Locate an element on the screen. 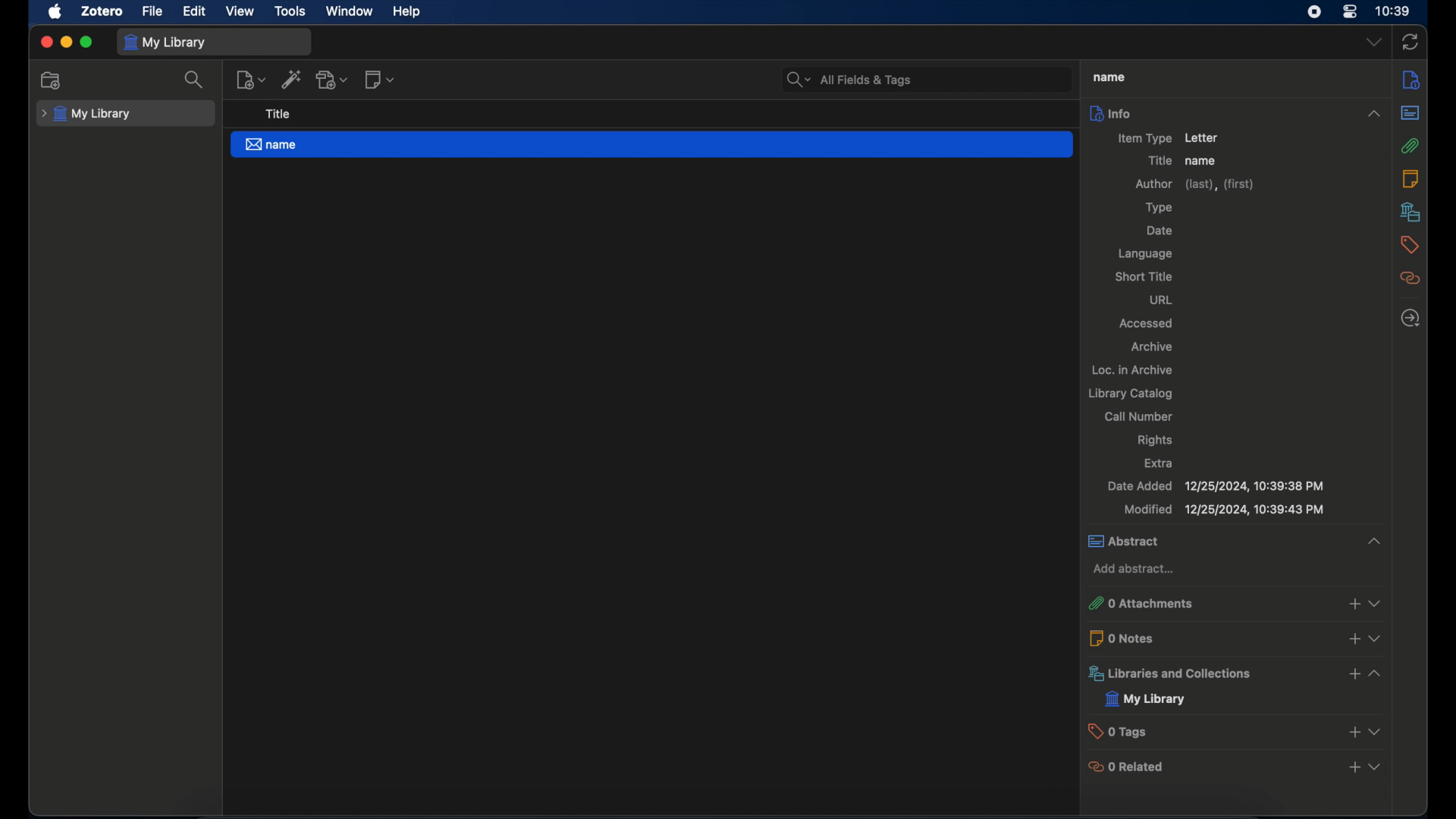  libraries is located at coordinates (1173, 675).